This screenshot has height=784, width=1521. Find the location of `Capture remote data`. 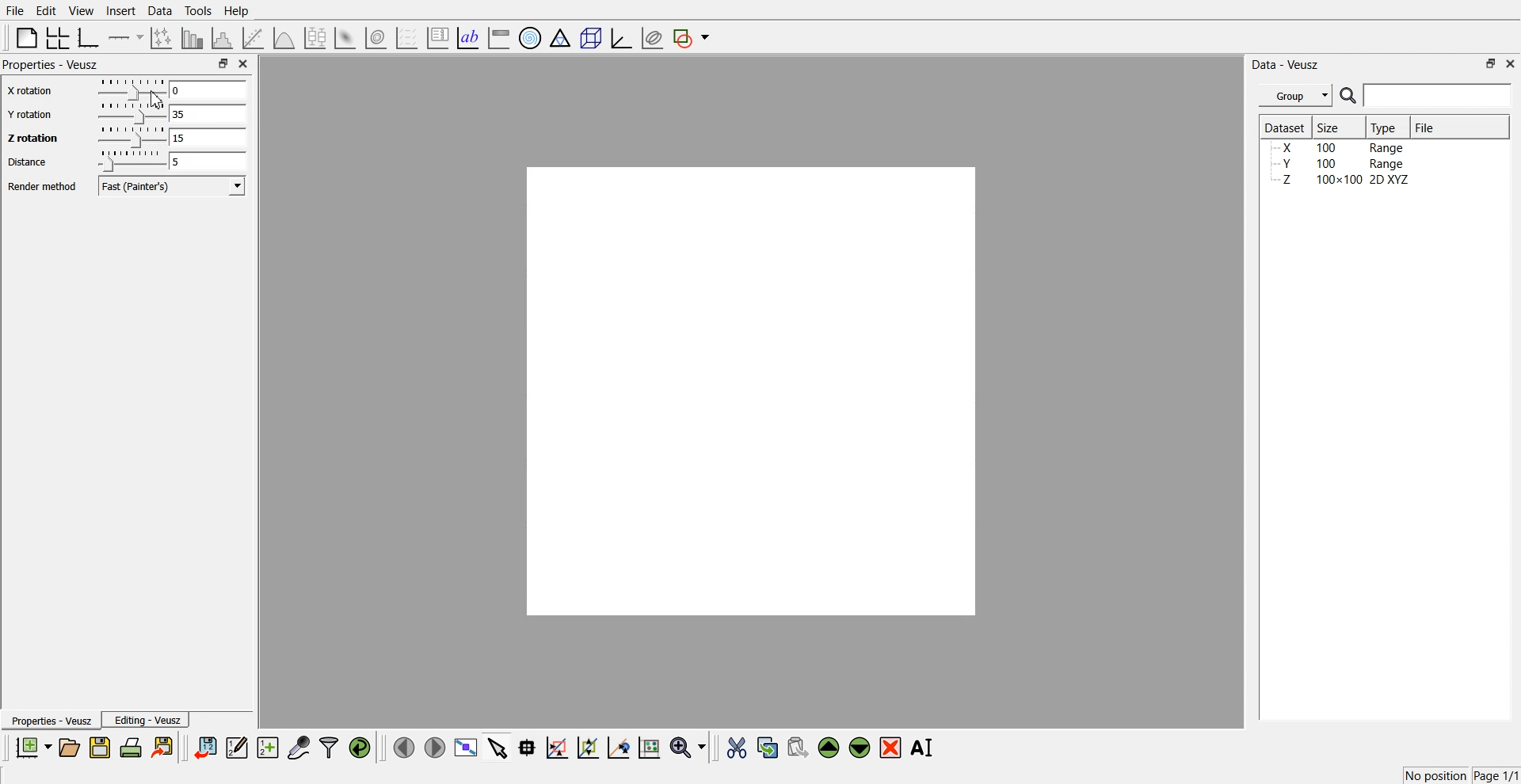

Capture remote data is located at coordinates (299, 747).